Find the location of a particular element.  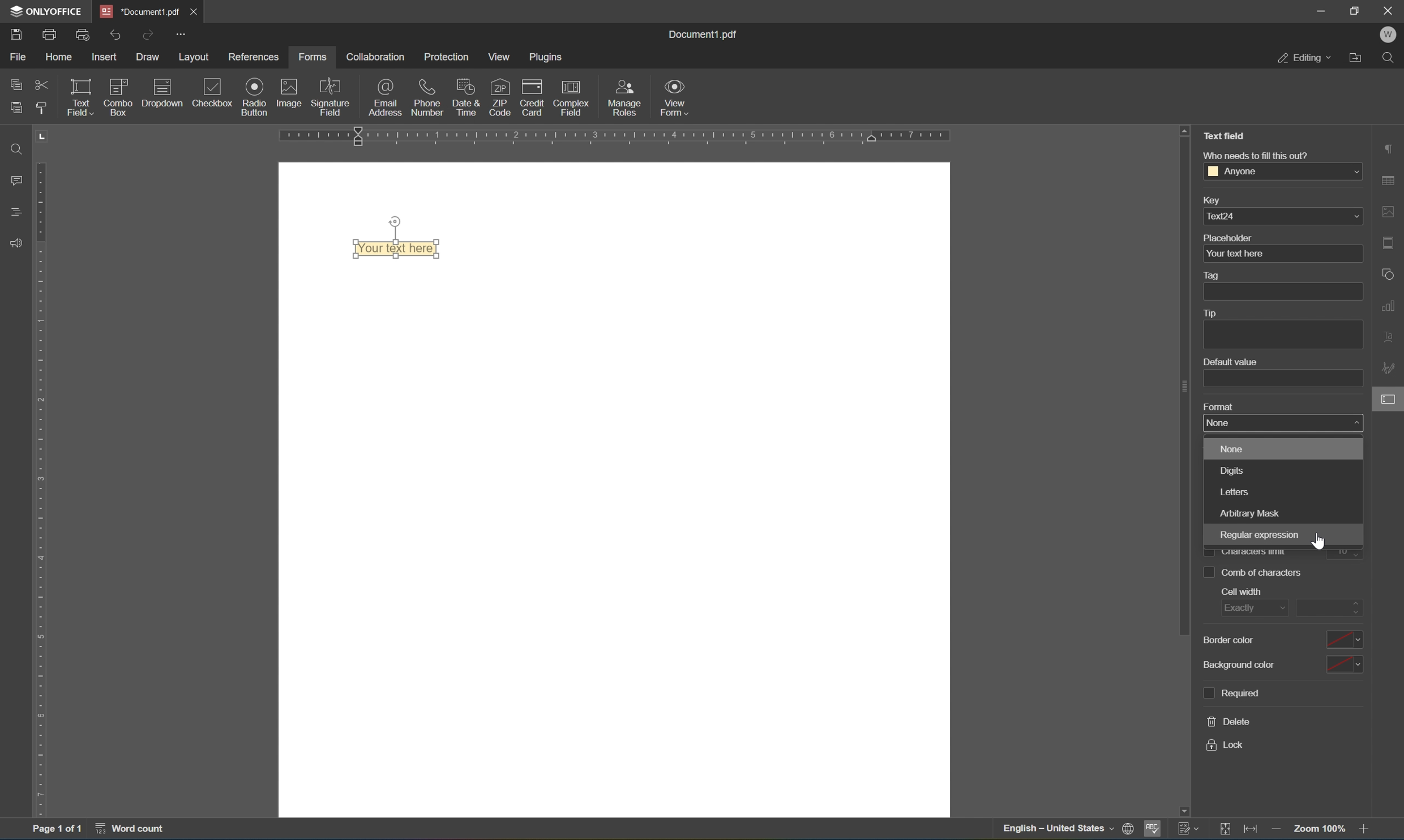

form settings is located at coordinates (1390, 398).